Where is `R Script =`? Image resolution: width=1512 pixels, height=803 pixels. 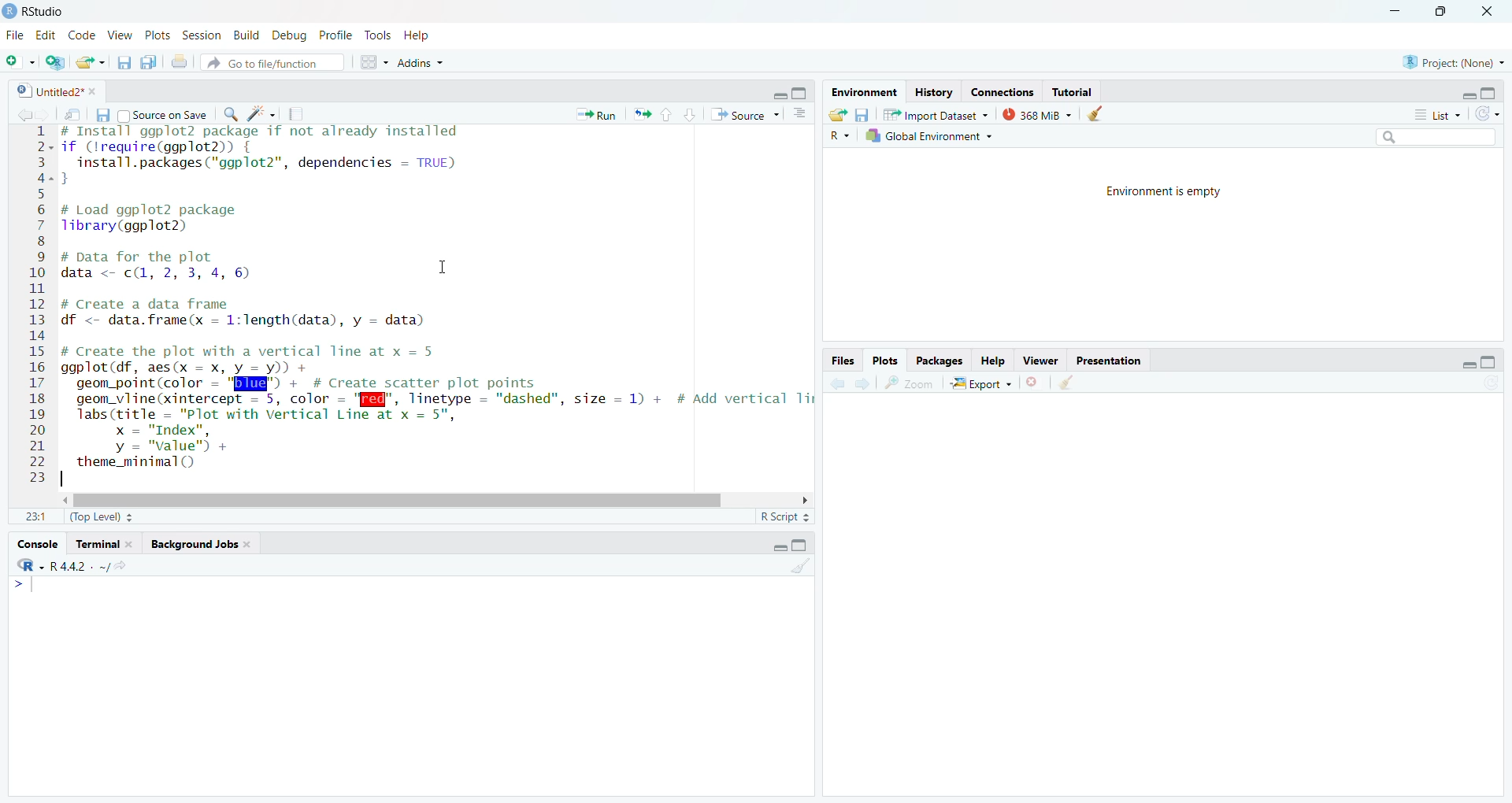
R Script = is located at coordinates (787, 515).